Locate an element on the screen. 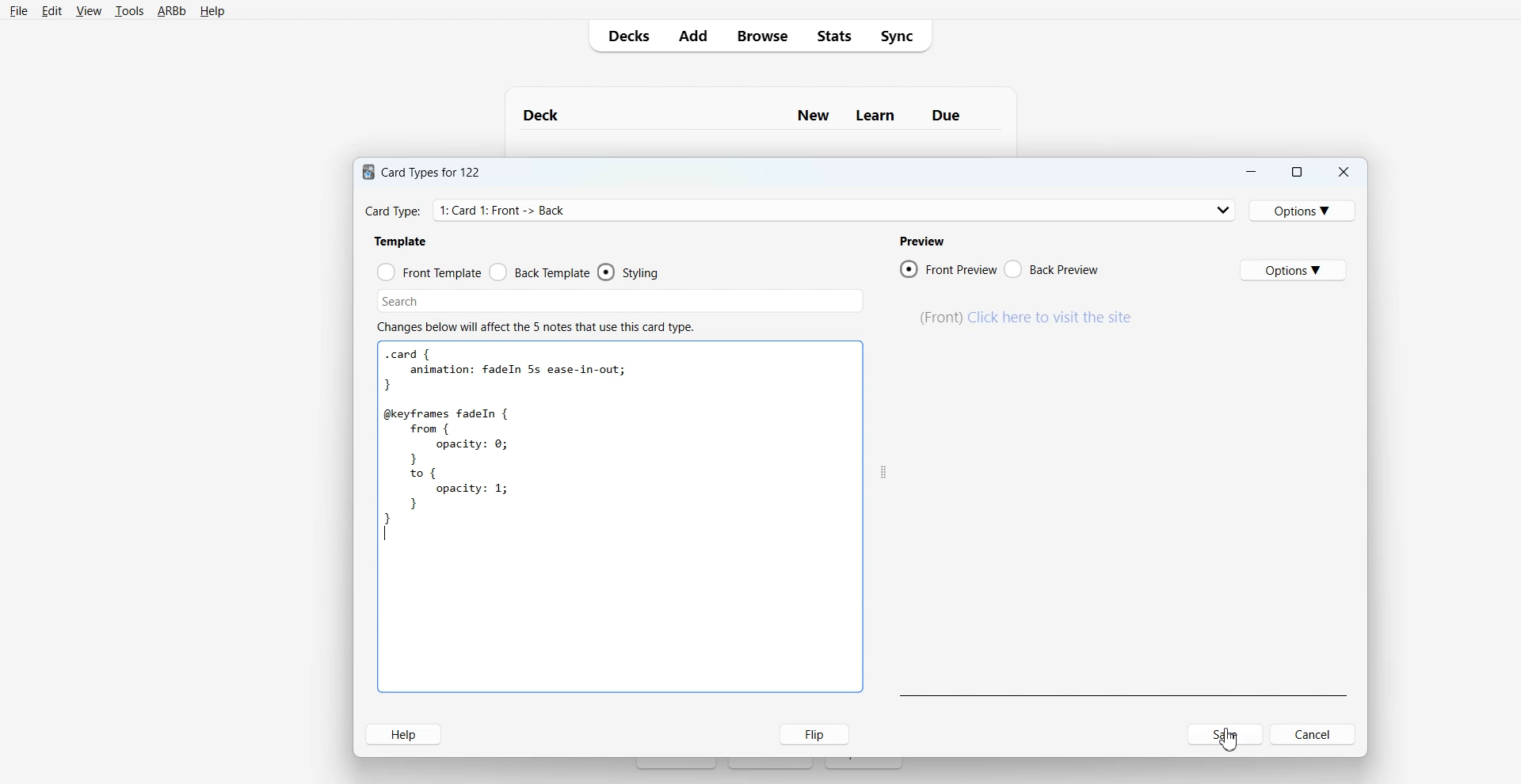 This screenshot has height=784, width=1521. Text 1 is located at coordinates (752, 114).